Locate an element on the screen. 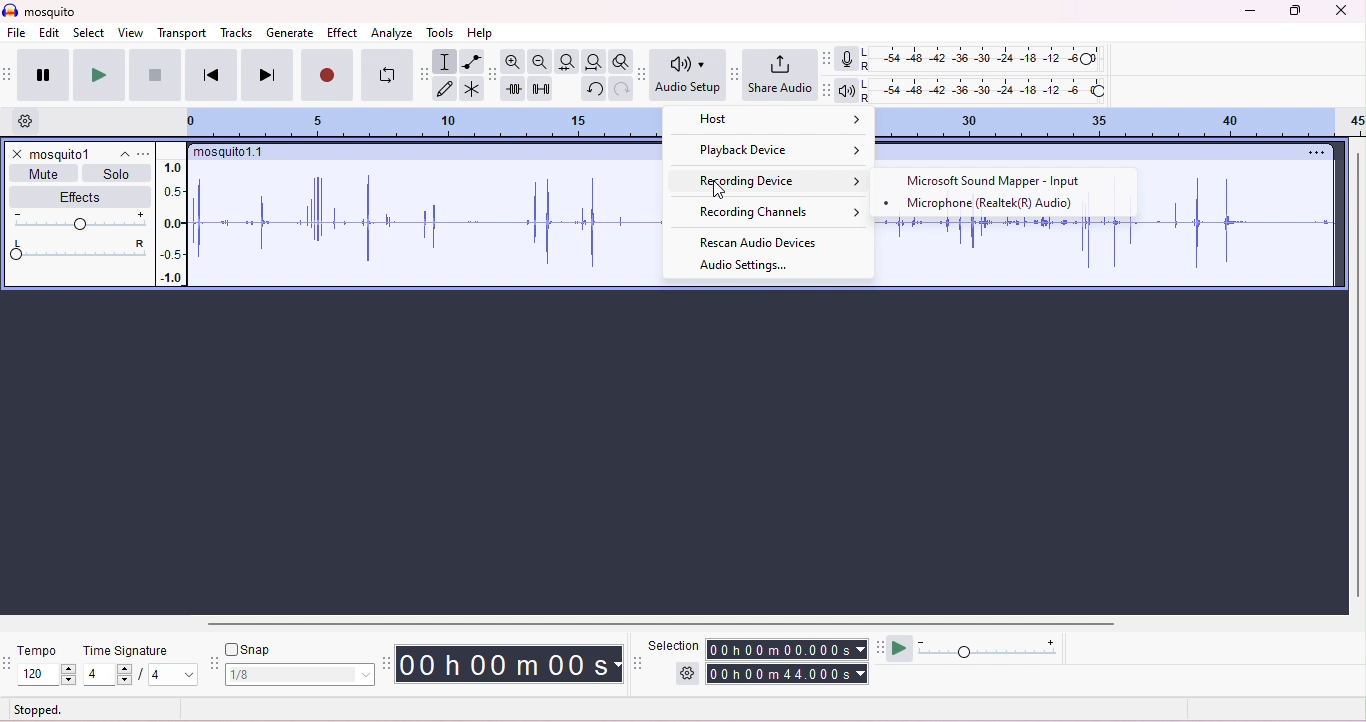  selection time is located at coordinates (789, 649).